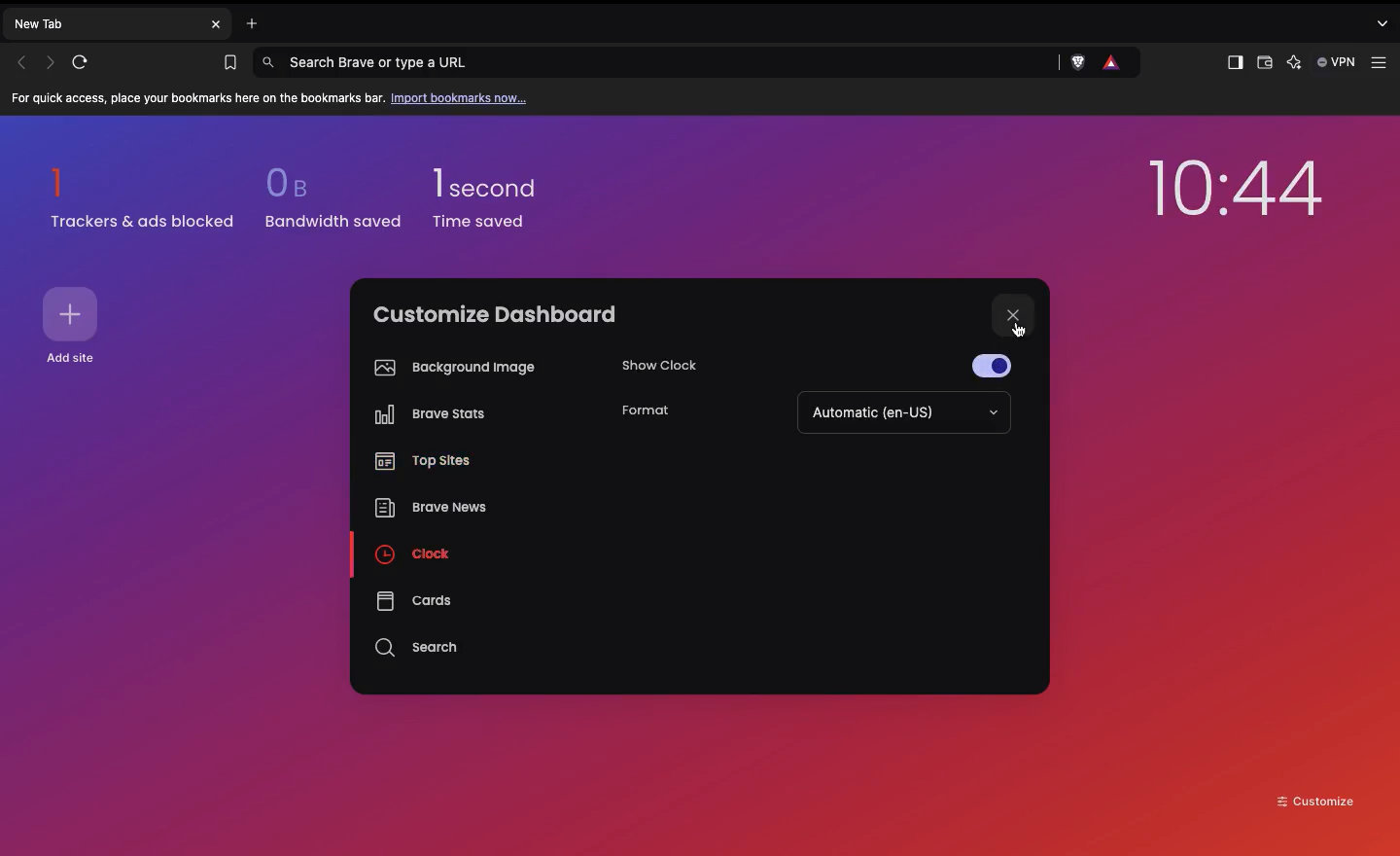 This screenshot has height=856, width=1400. I want to click on 1 trackers & ads blocked, so click(143, 197).